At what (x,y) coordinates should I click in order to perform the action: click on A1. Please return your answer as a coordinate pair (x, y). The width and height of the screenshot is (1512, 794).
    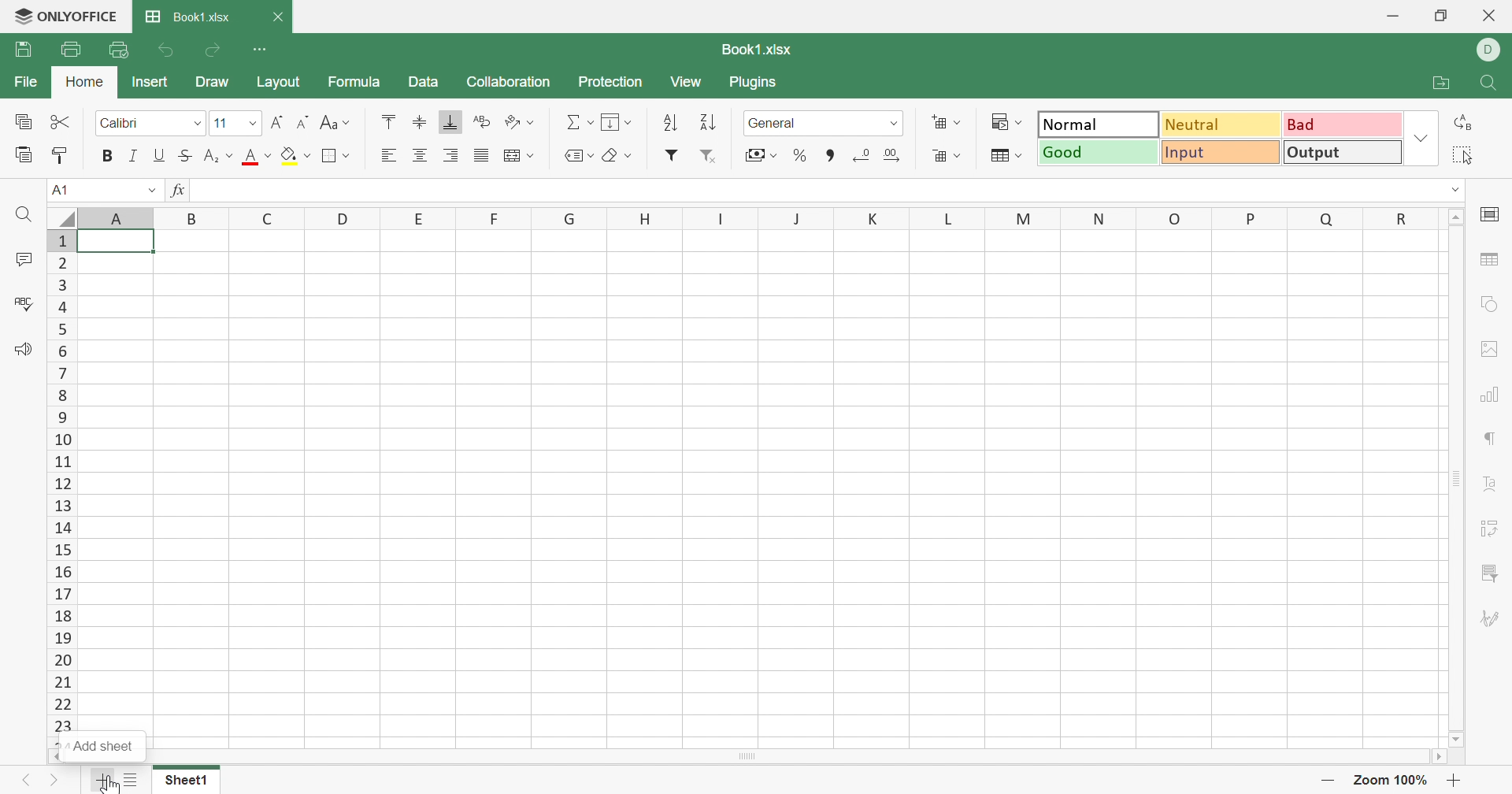
    Looking at the image, I should click on (60, 191).